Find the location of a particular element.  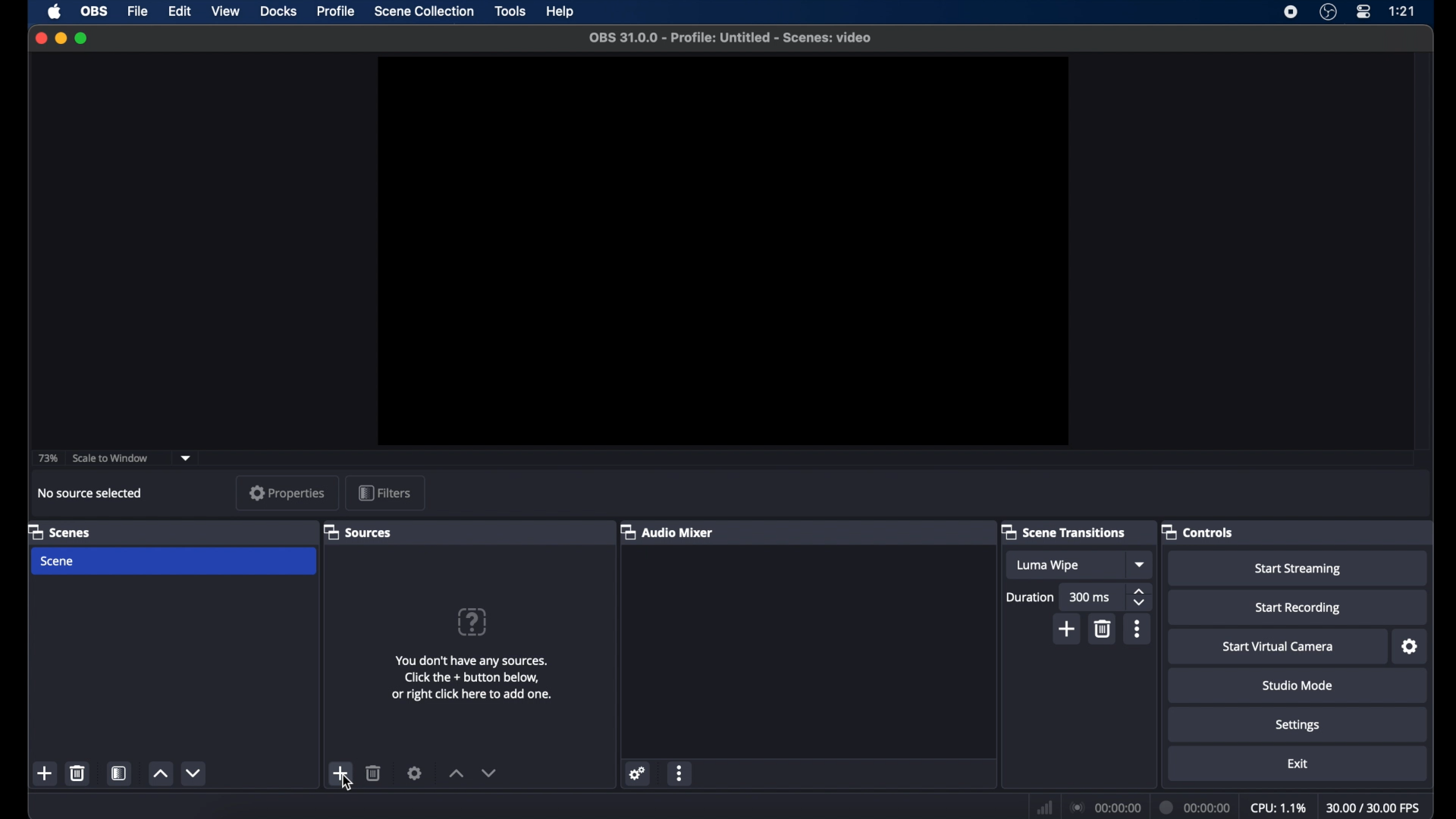

minimize is located at coordinates (60, 38).